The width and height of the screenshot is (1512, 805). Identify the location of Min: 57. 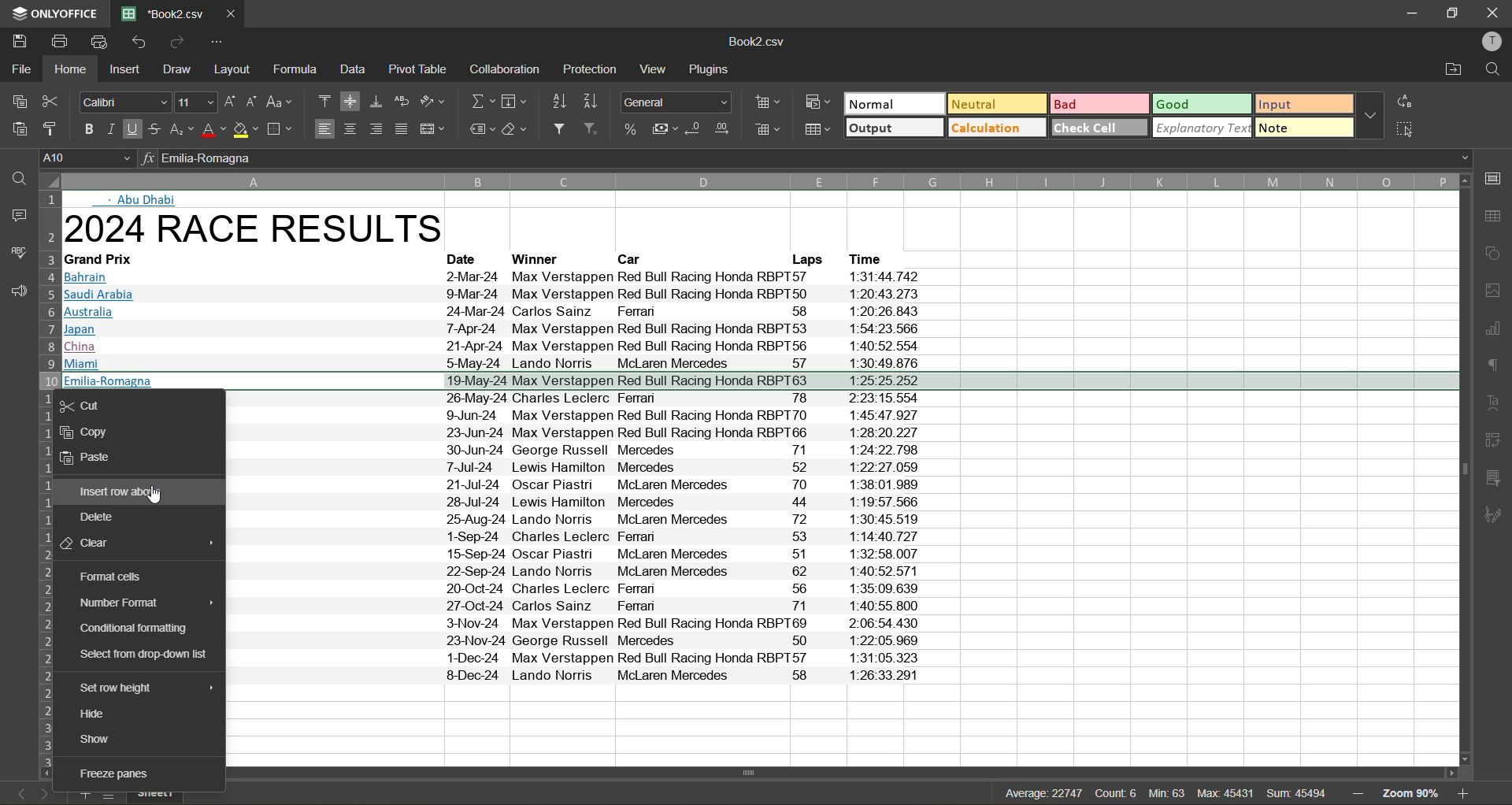
(1169, 793).